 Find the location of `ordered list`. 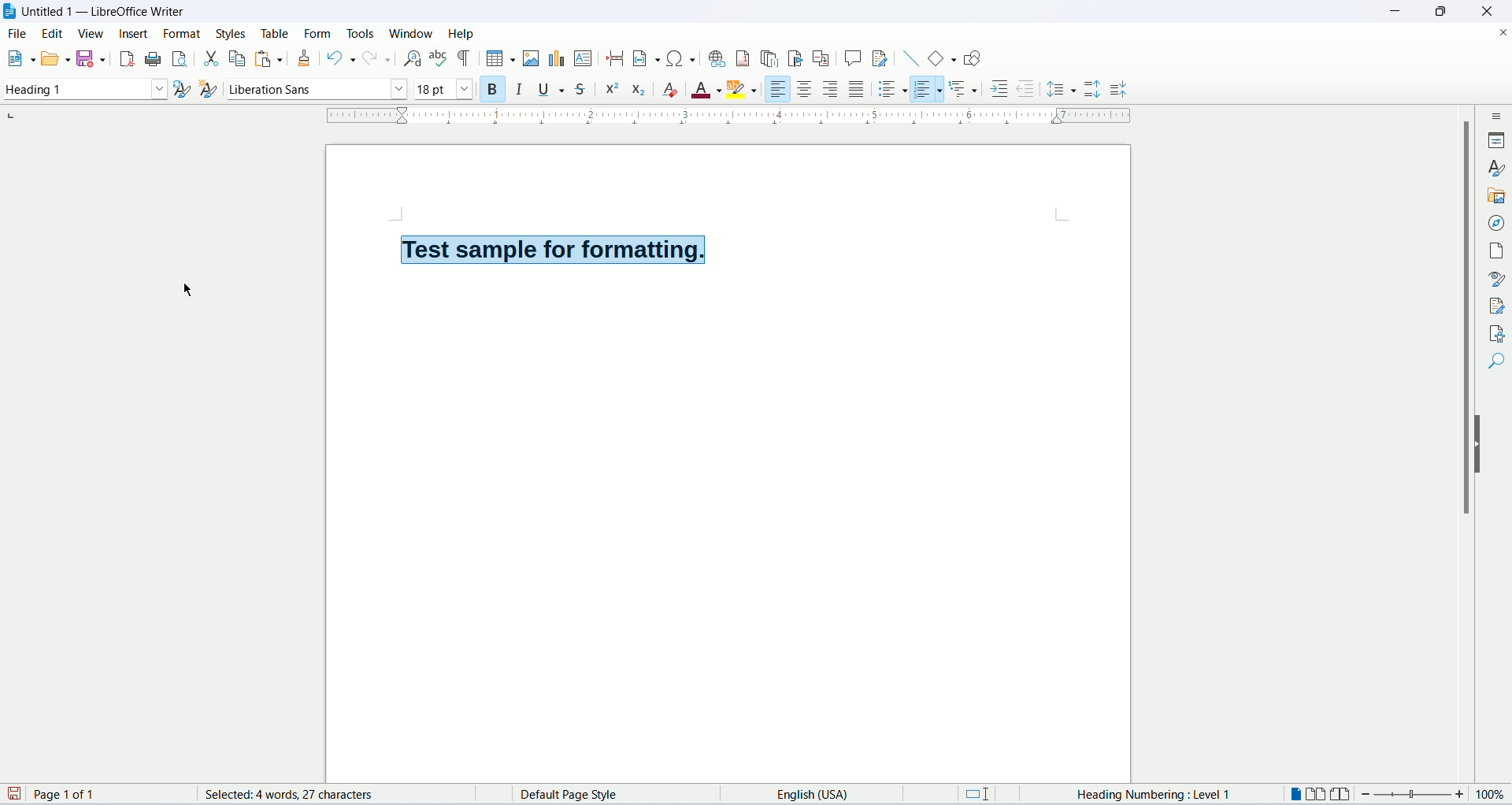

ordered list is located at coordinates (932, 88).